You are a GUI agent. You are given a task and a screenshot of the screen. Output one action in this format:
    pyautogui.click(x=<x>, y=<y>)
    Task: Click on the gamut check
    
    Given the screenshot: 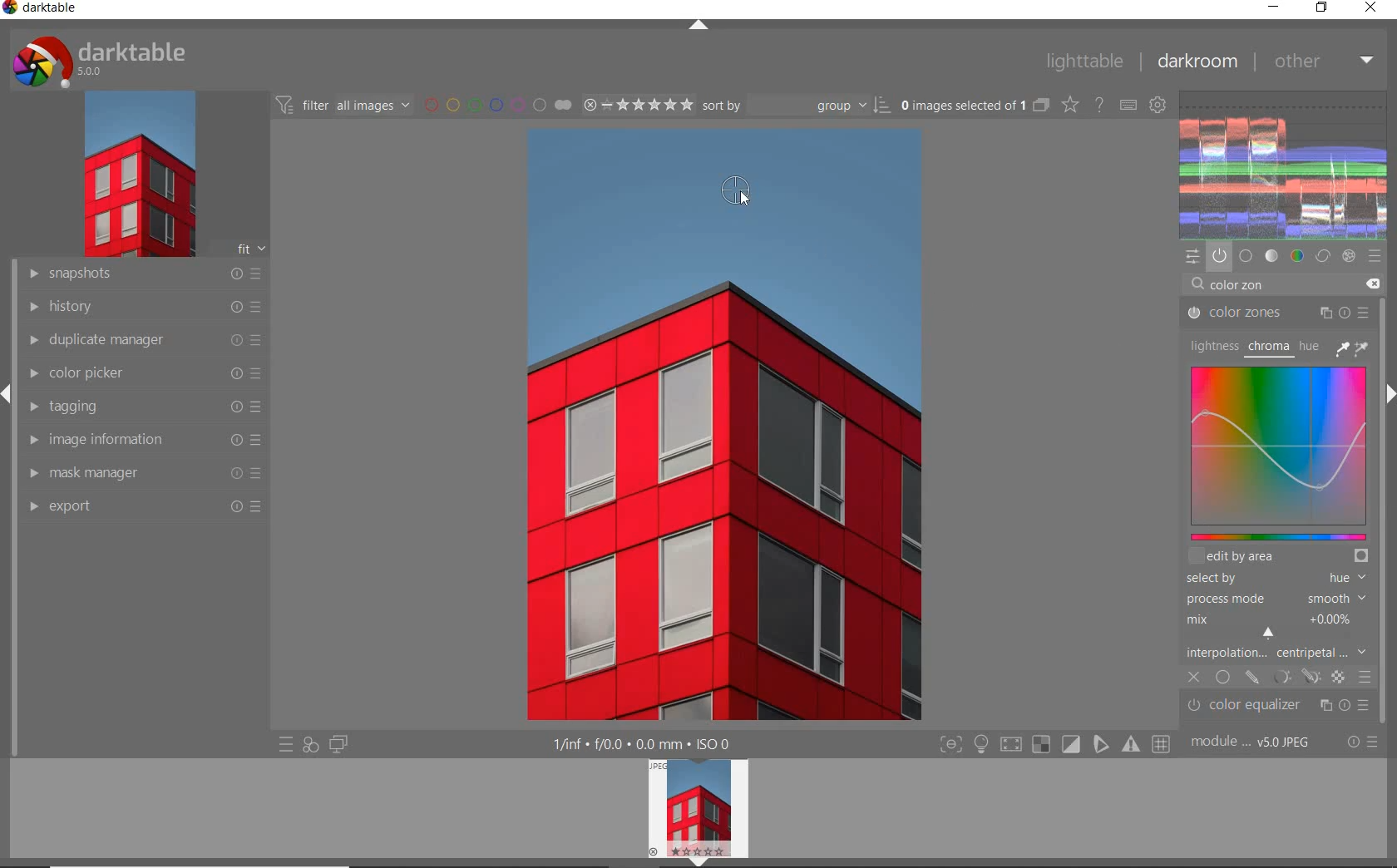 What is the action you would take?
    pyautogui.click(x=1039, y=744)
    